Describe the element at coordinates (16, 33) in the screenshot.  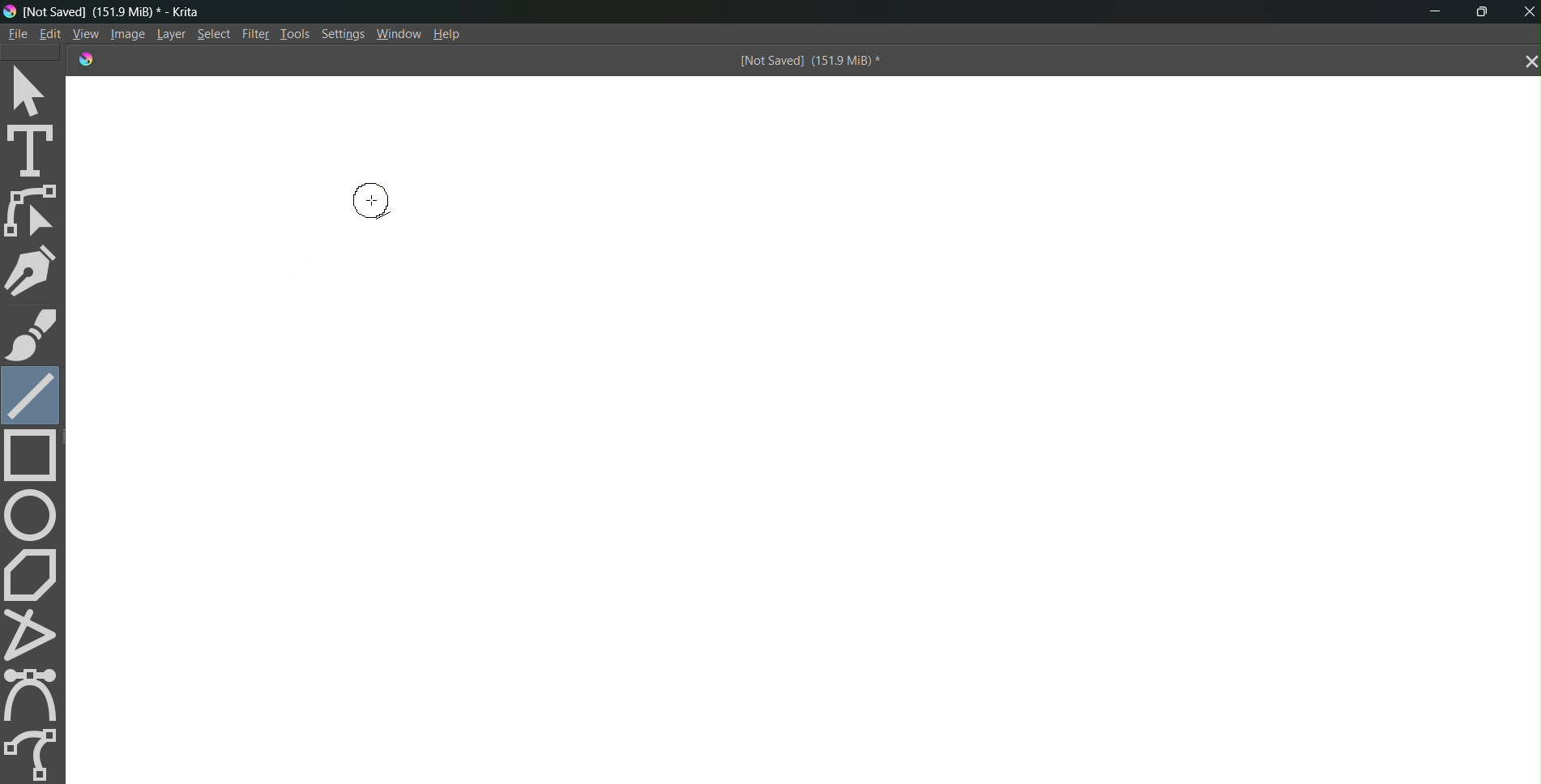
I see `File` at that location.